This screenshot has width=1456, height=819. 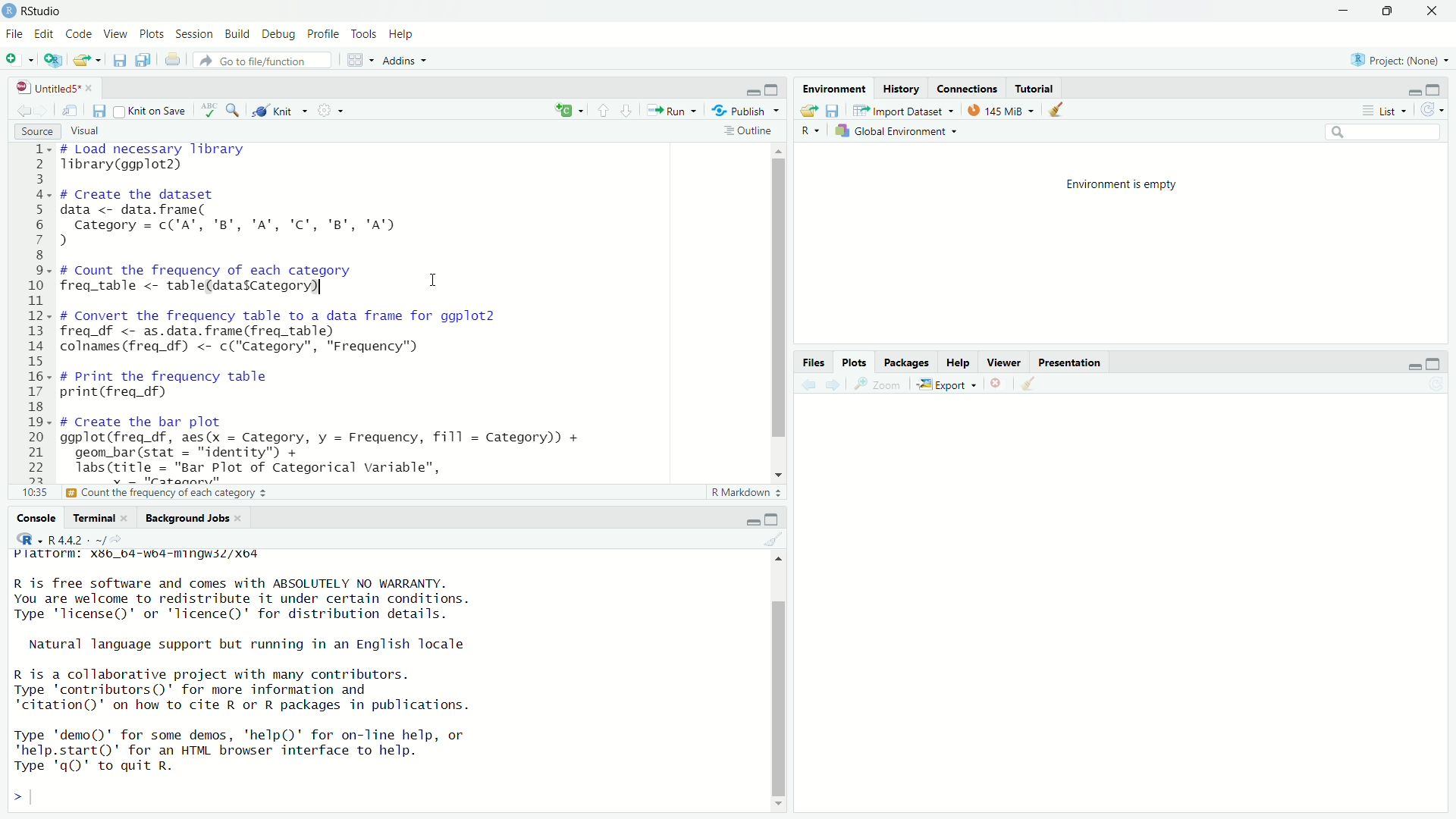 What do you see at coordinates (403, 35) in the screenshot?
I see `help` at bounding box center [403, 35].